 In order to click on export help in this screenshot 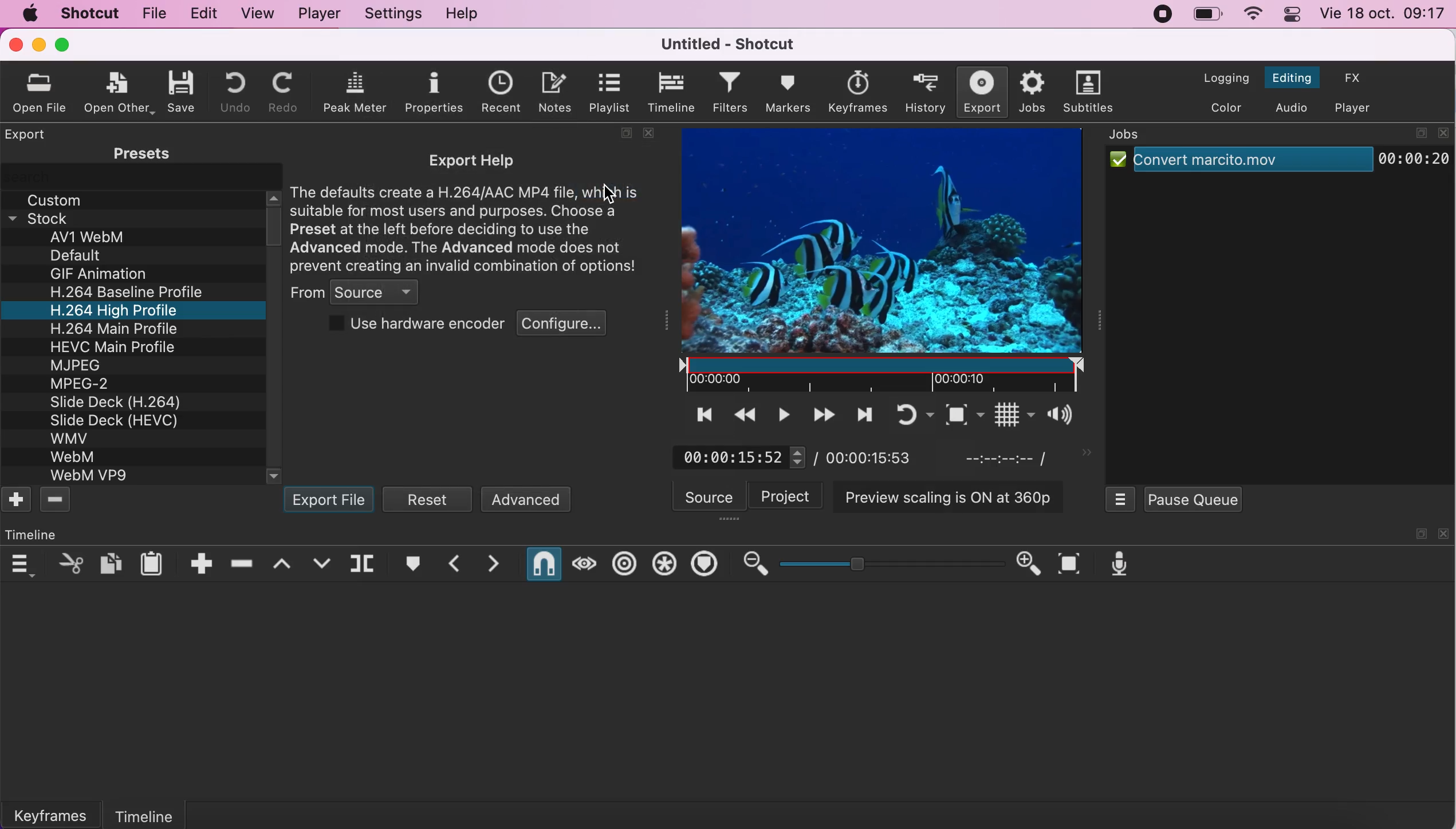, I will do `click(470, 212)`.